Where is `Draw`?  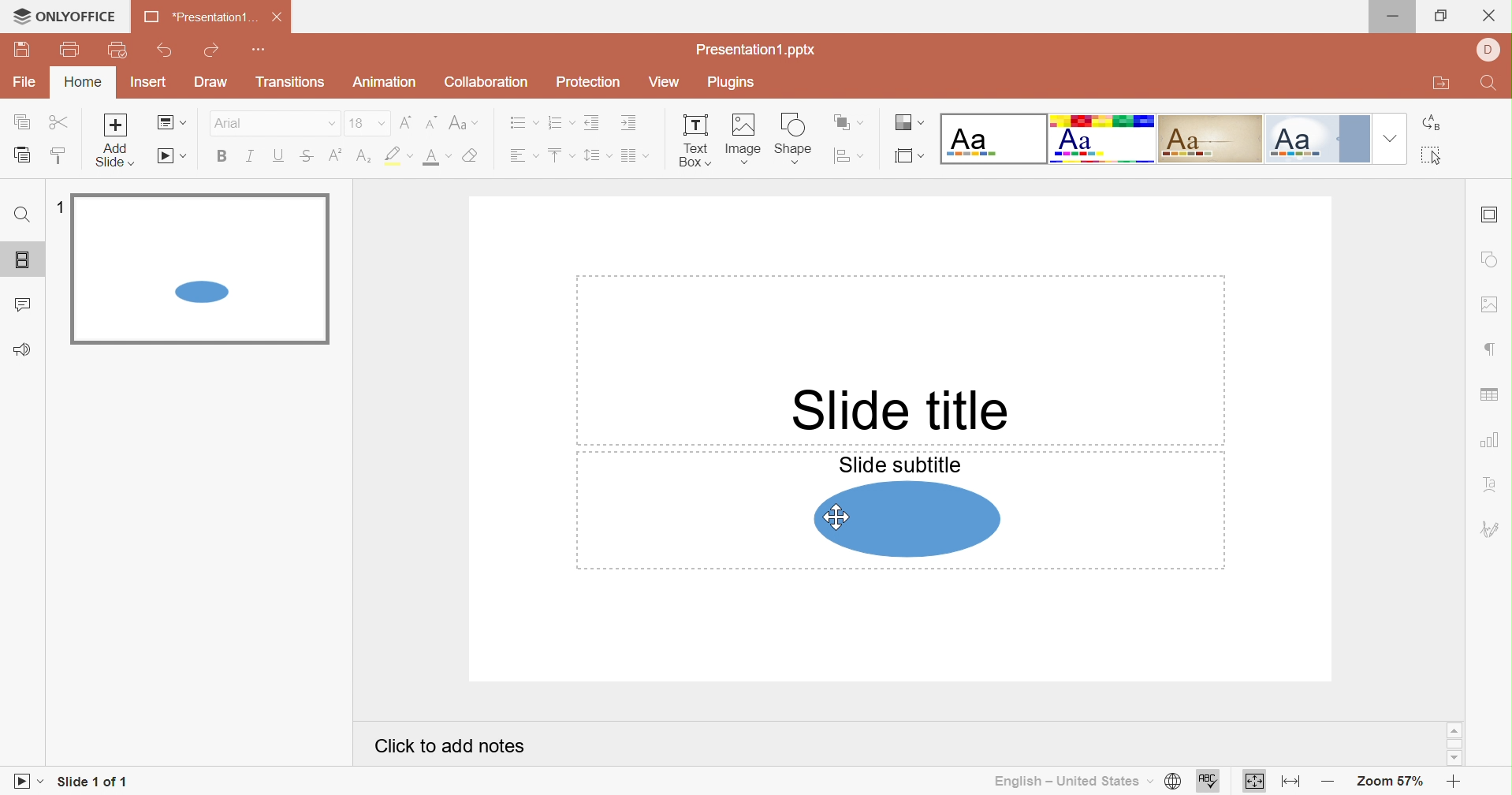
Draw is located at coordinates (212, 82).